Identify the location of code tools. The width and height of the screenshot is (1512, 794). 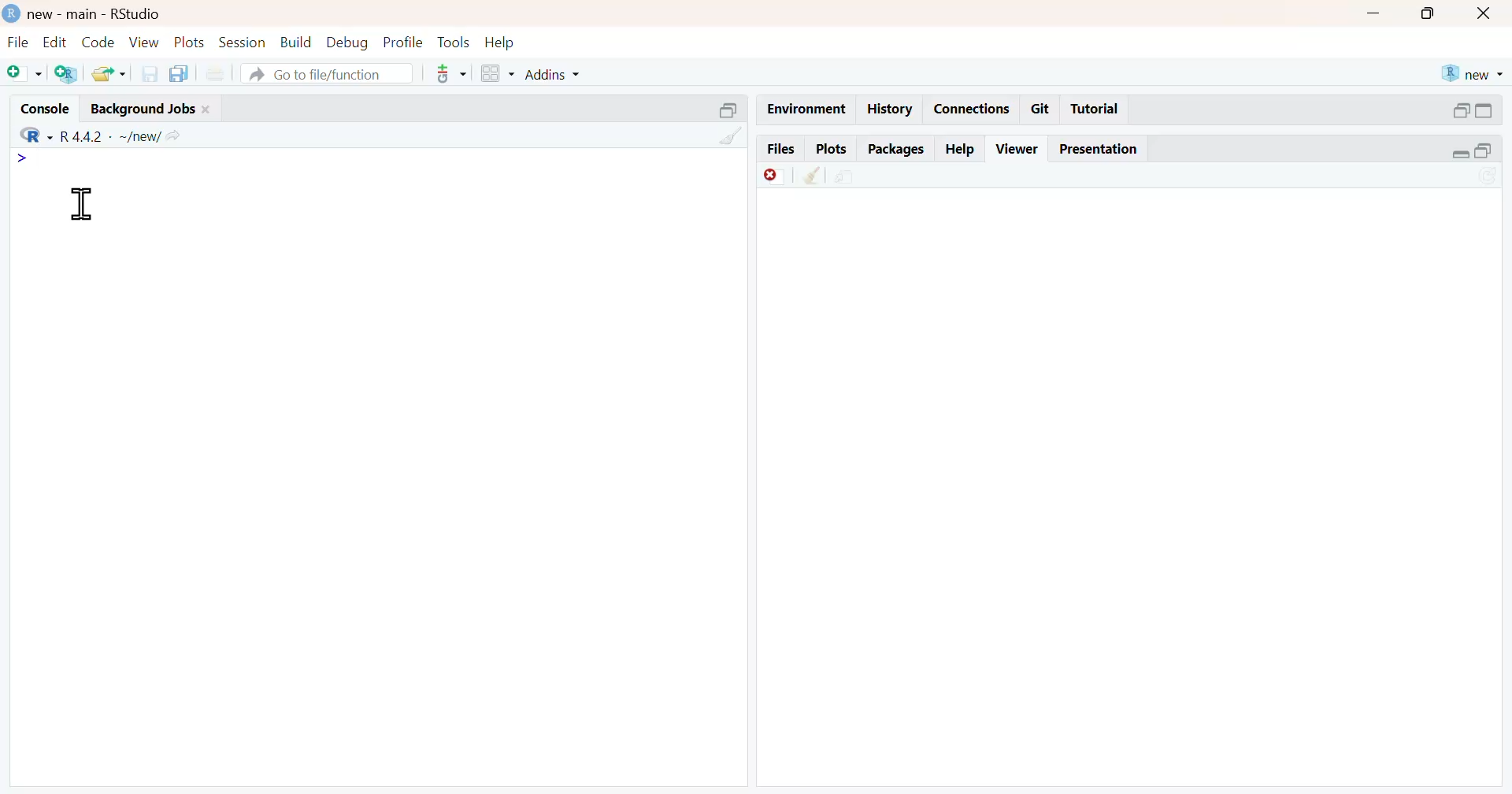
(450, 74).